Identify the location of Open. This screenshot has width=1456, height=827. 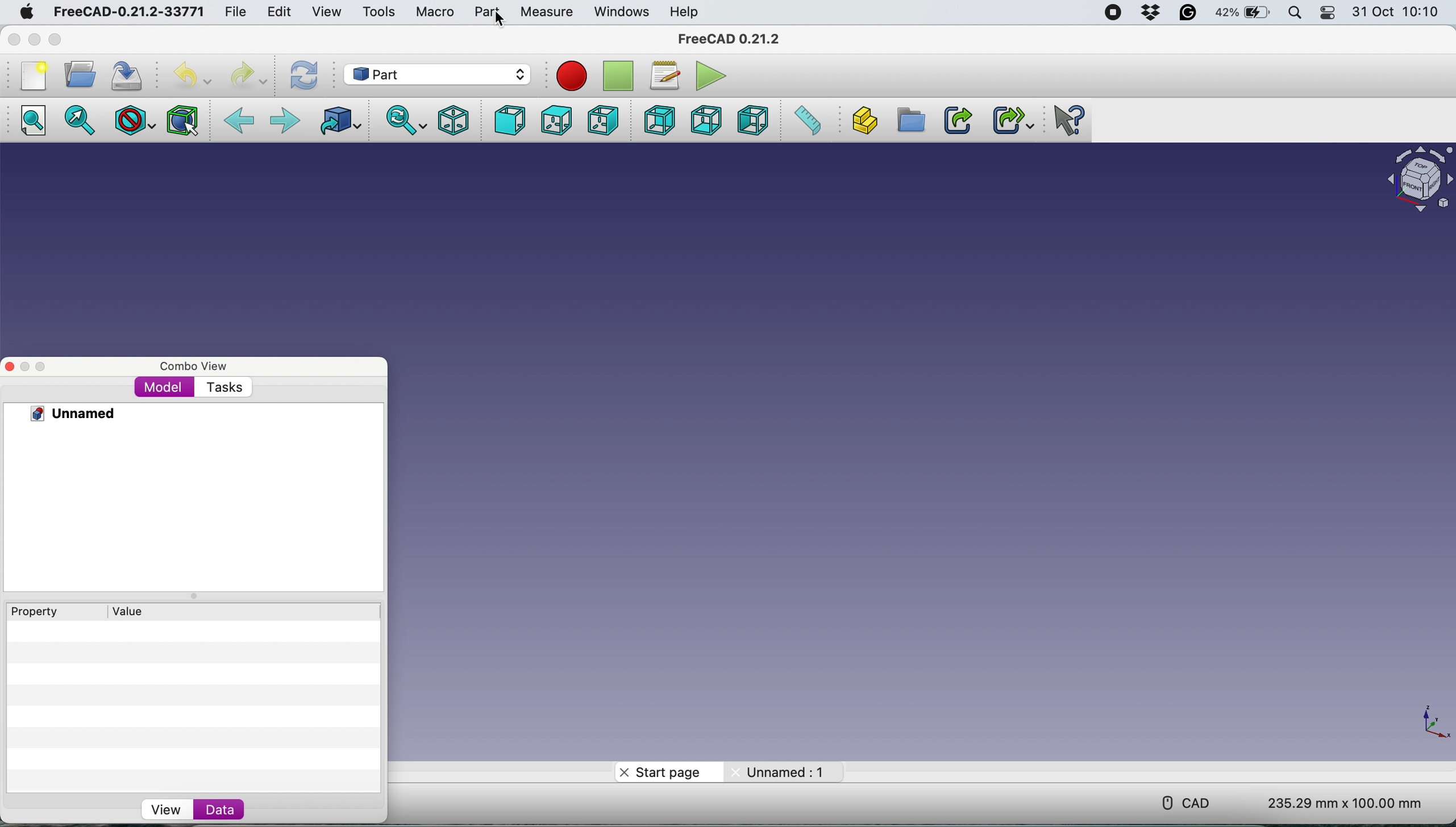
(80, 75).